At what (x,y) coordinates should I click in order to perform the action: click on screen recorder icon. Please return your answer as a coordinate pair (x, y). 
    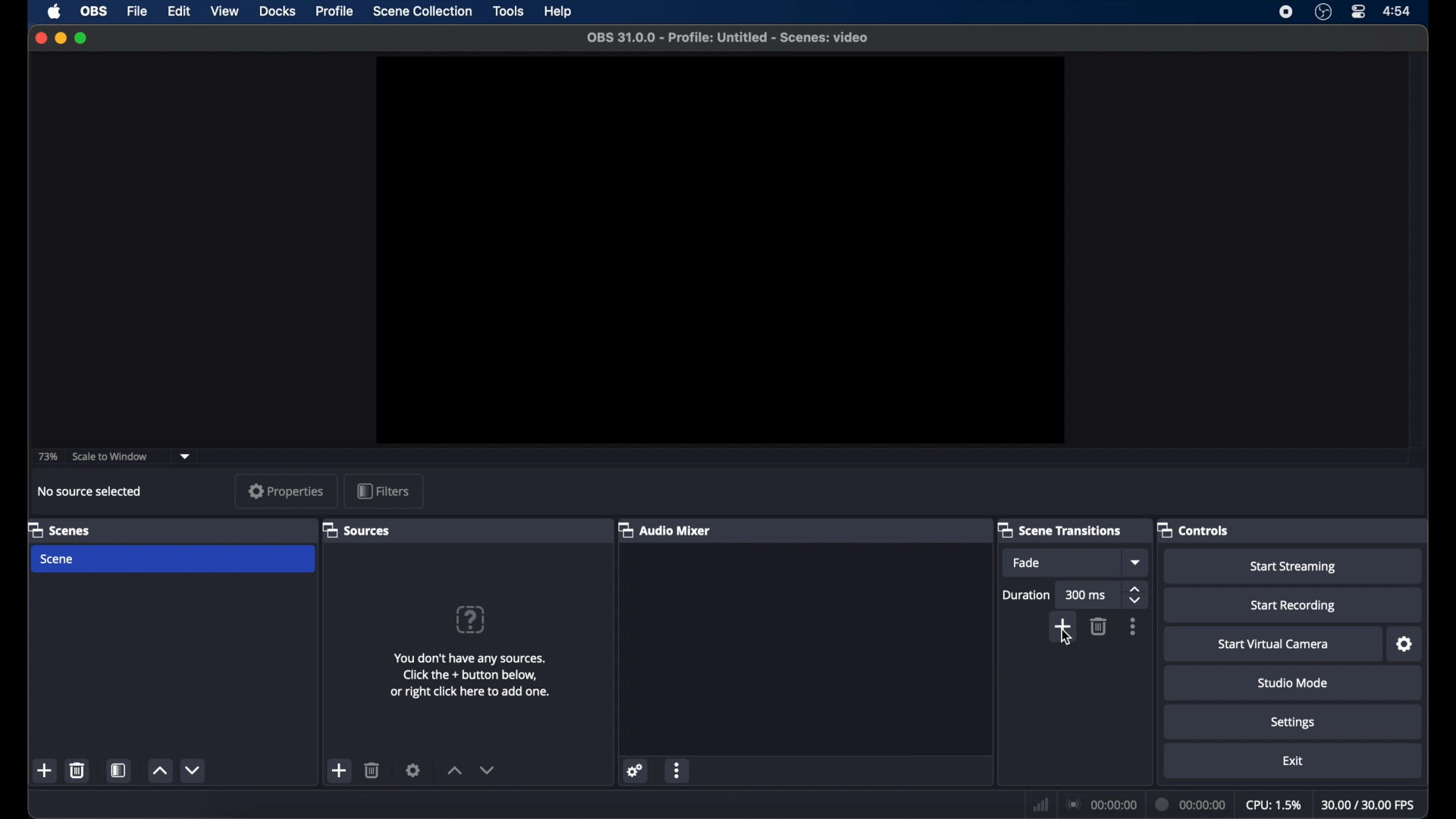
    Looking at the image, I should click on (1286, 12).